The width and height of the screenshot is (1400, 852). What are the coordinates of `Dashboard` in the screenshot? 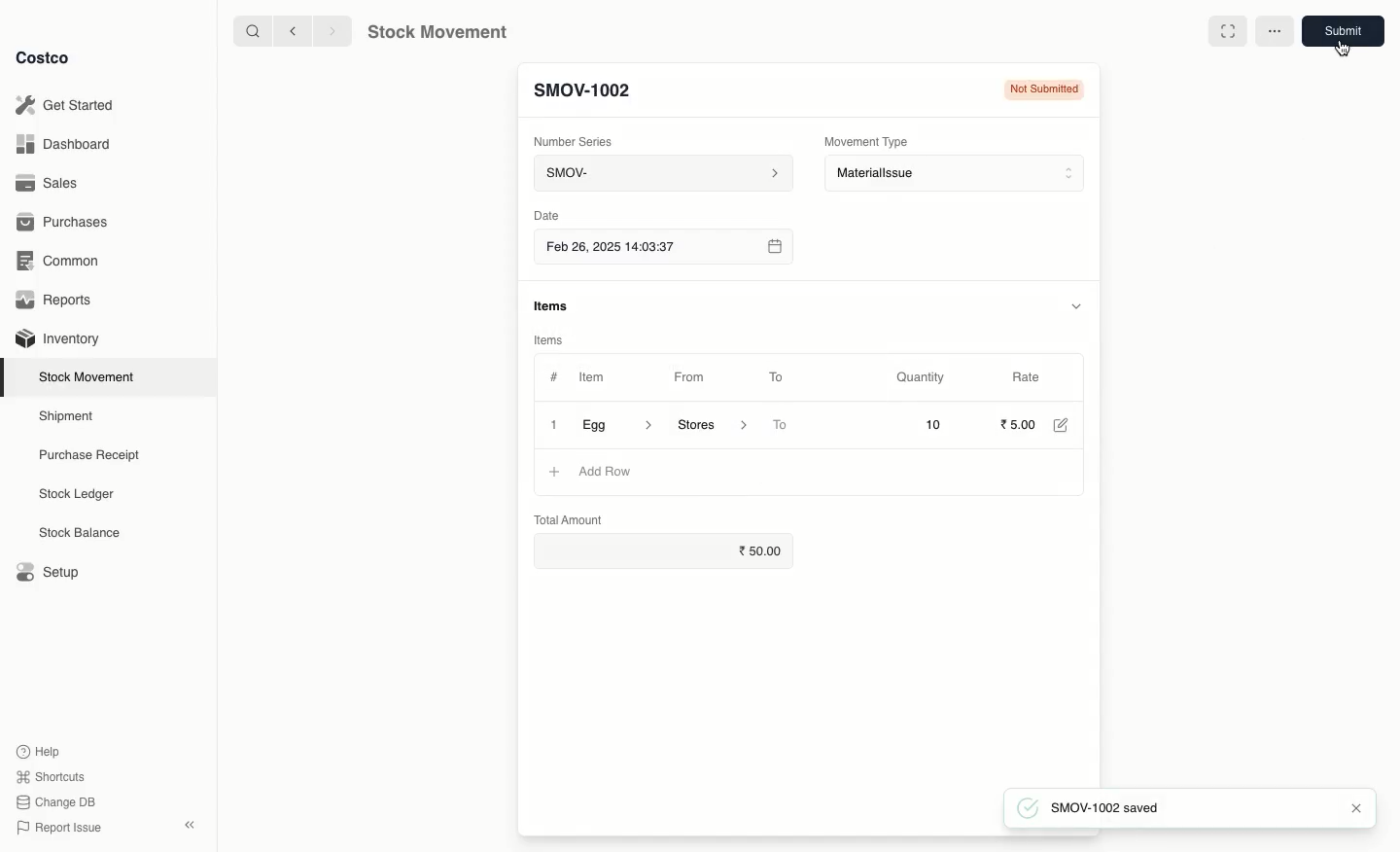 It's located at (65, 146).